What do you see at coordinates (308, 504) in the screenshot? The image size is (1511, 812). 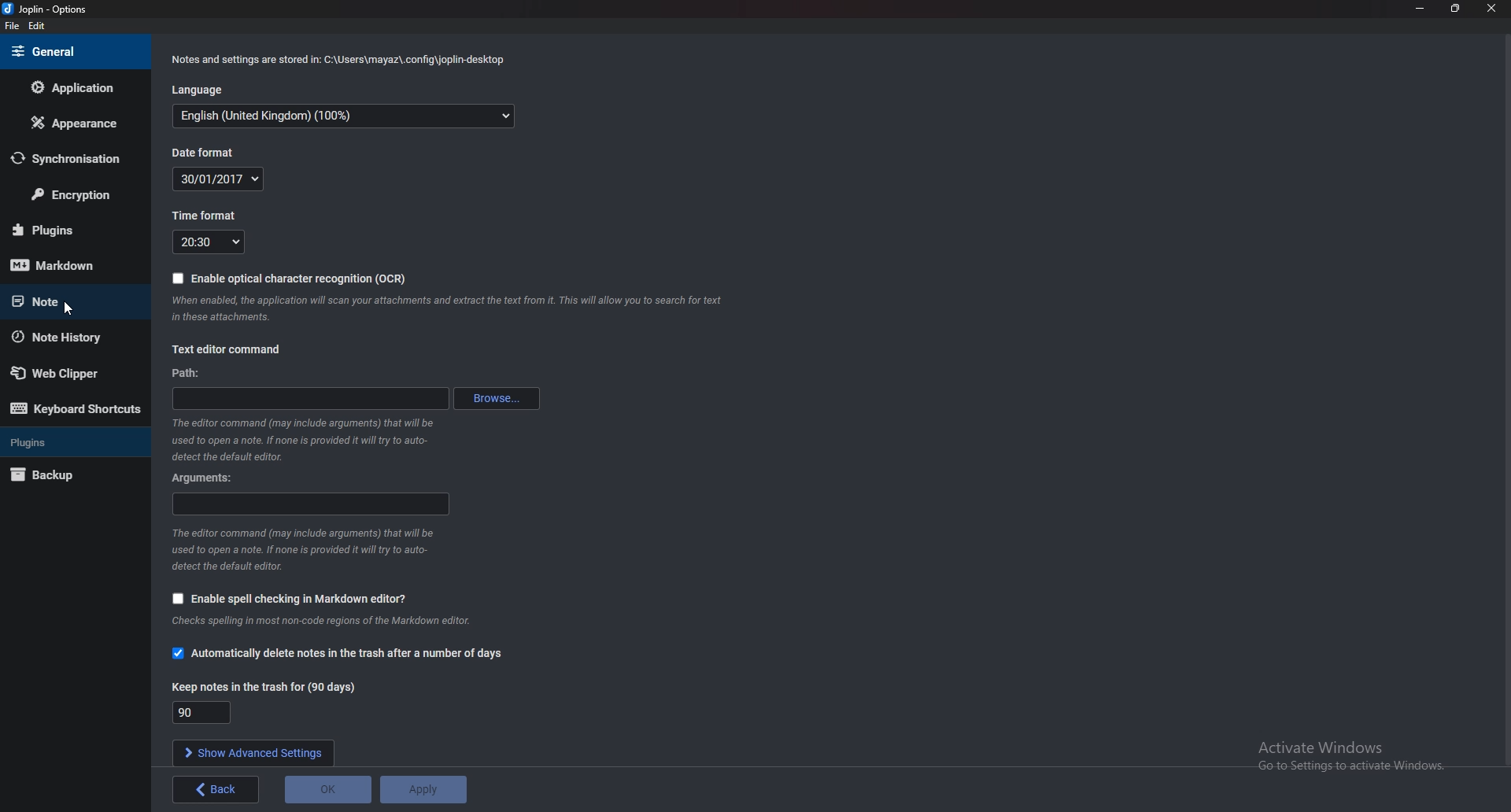 I see `arguments` at bounding box center [308, 504].